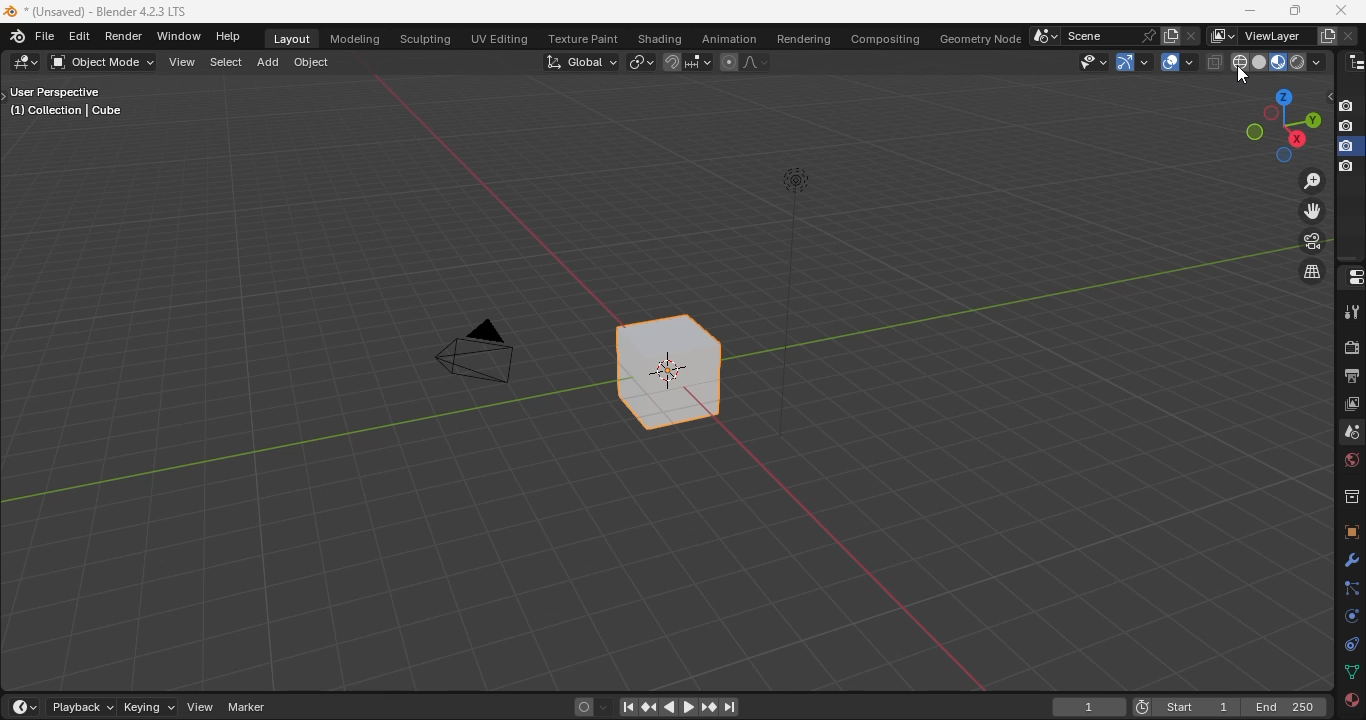 The width and height of the screenshot is (1366, 720). I want to click on material preview display, so click(1280, 62).